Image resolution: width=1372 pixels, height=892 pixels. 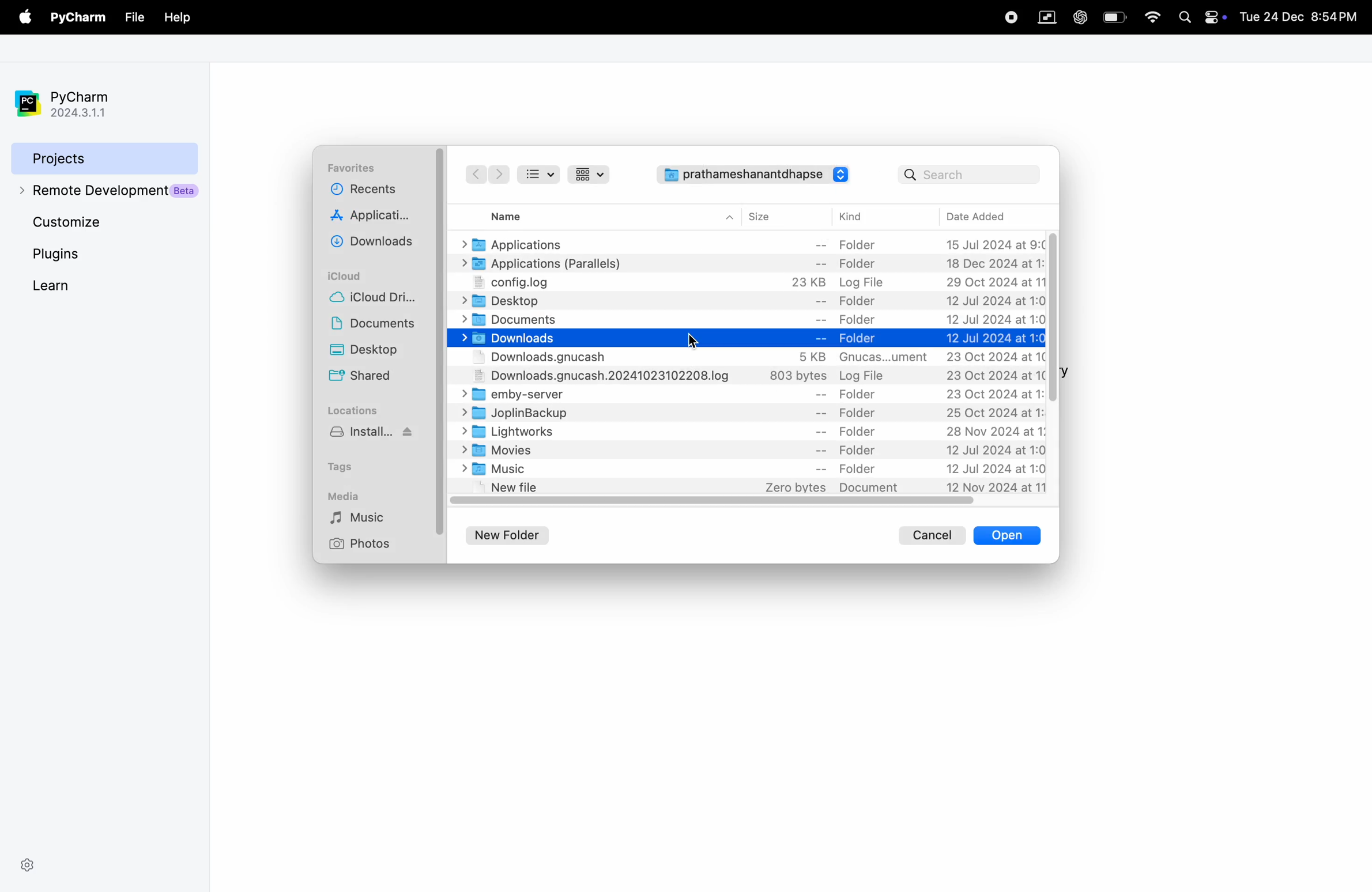 What do you see at coordinates (499, 175) in the screenshot?
I see `next` at bounding box center [499, 175].